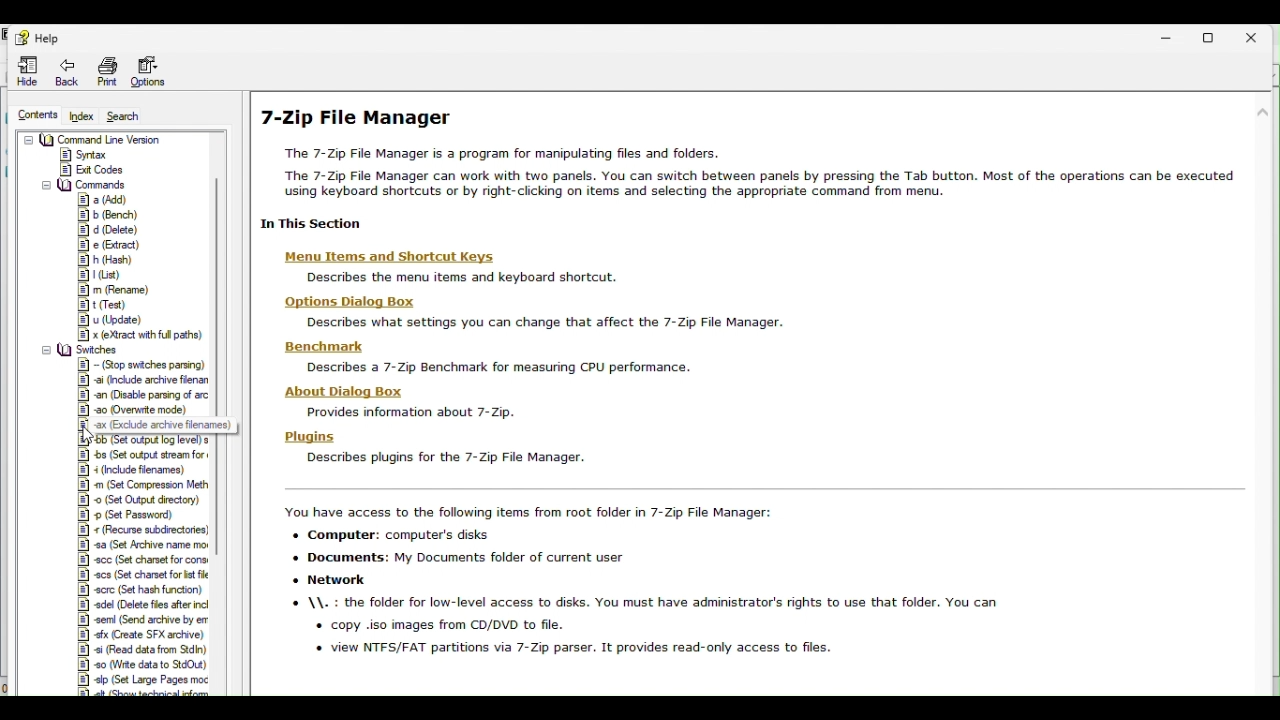 Image resolution: width=1280 pixels, height=720 pixels. Describe the element at coordinates (346, 392) in the screenshot. I see `About Dialog Box` at that location.